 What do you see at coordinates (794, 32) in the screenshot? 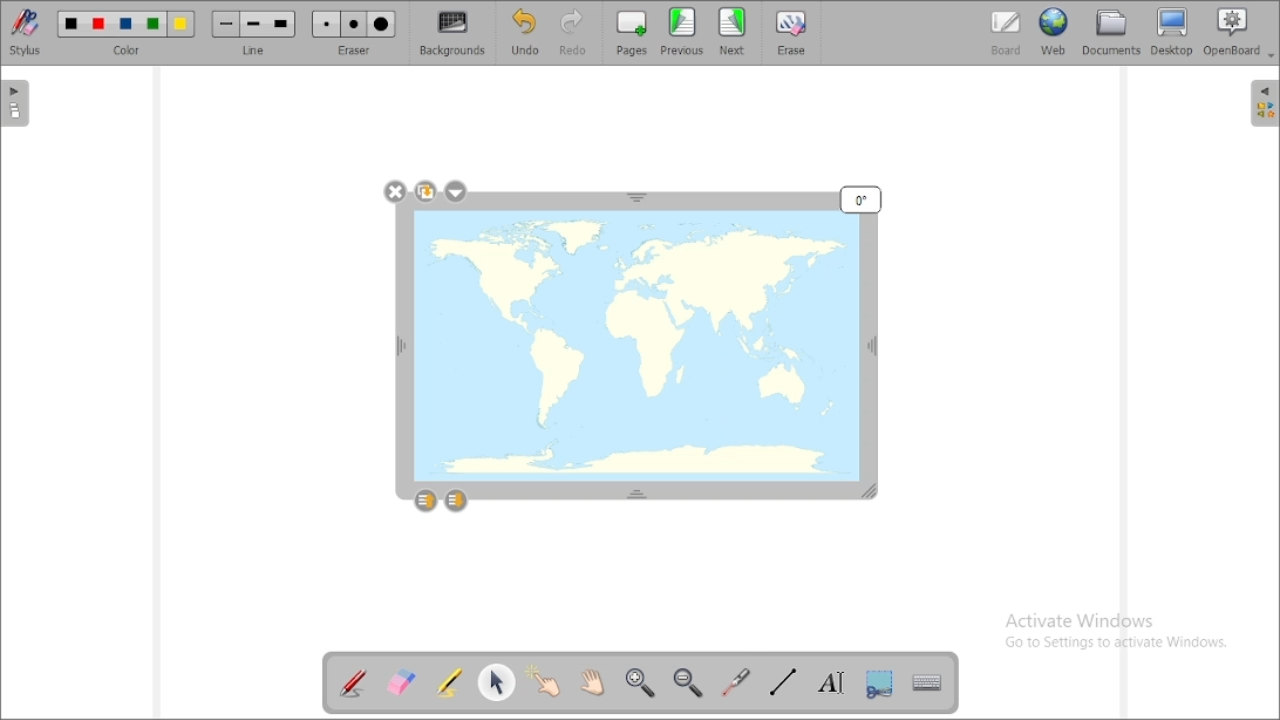
I see `erase` at bounding box center [794, 32].